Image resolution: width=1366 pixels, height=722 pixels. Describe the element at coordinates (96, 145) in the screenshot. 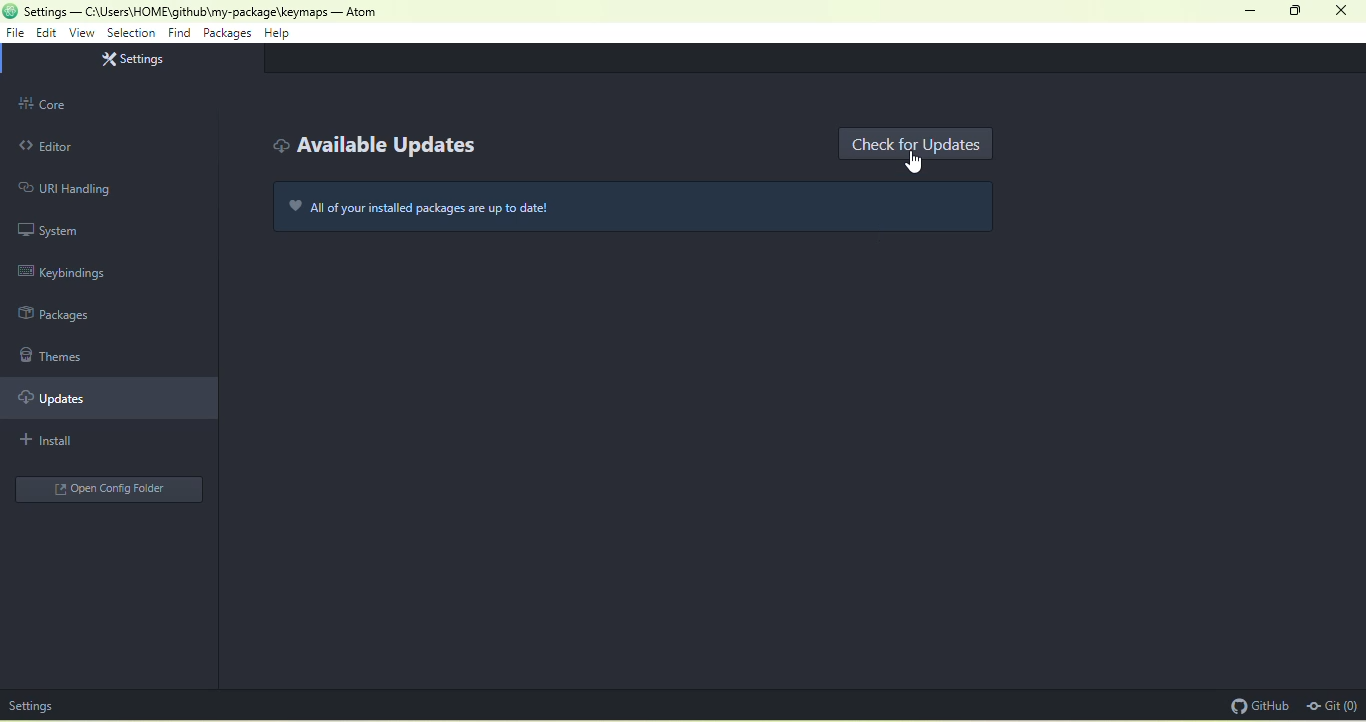

I see `editor` at that location.